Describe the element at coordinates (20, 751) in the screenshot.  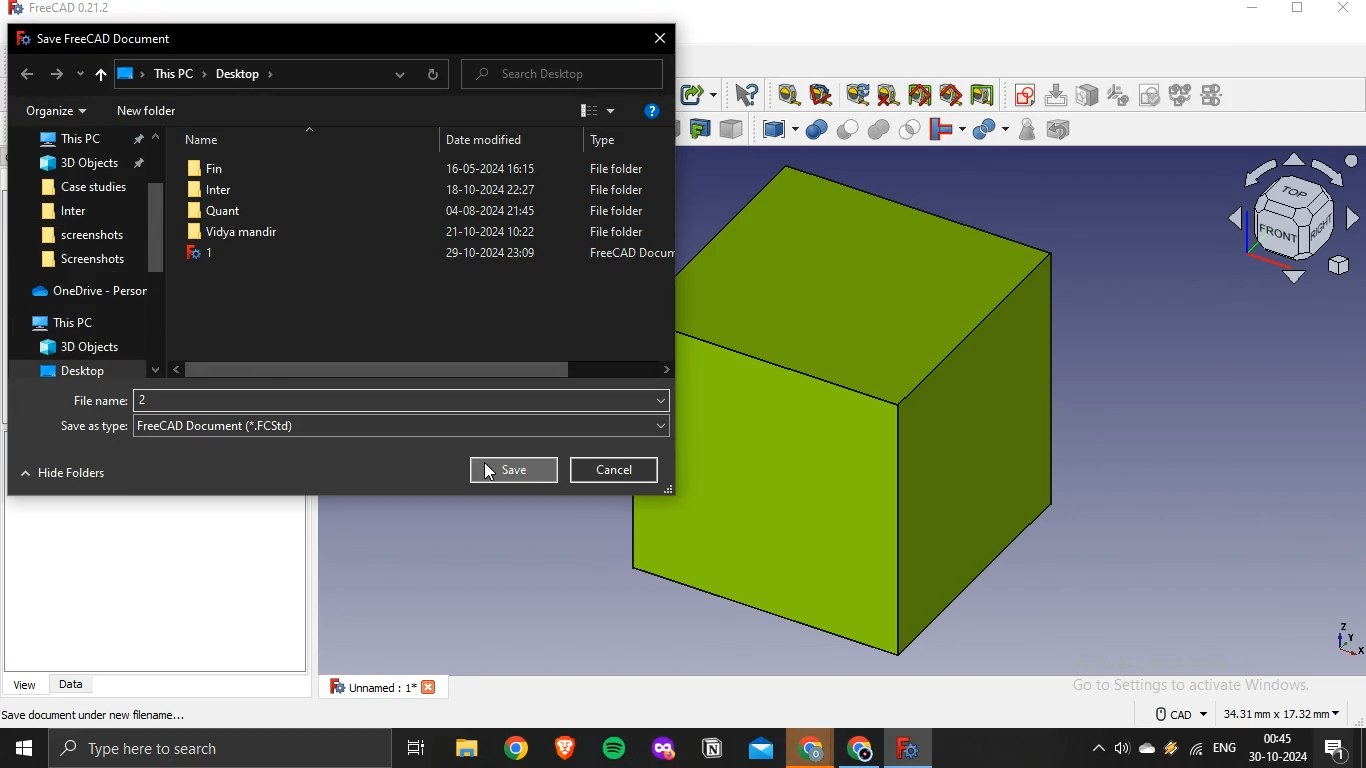
I see `start` at that location.